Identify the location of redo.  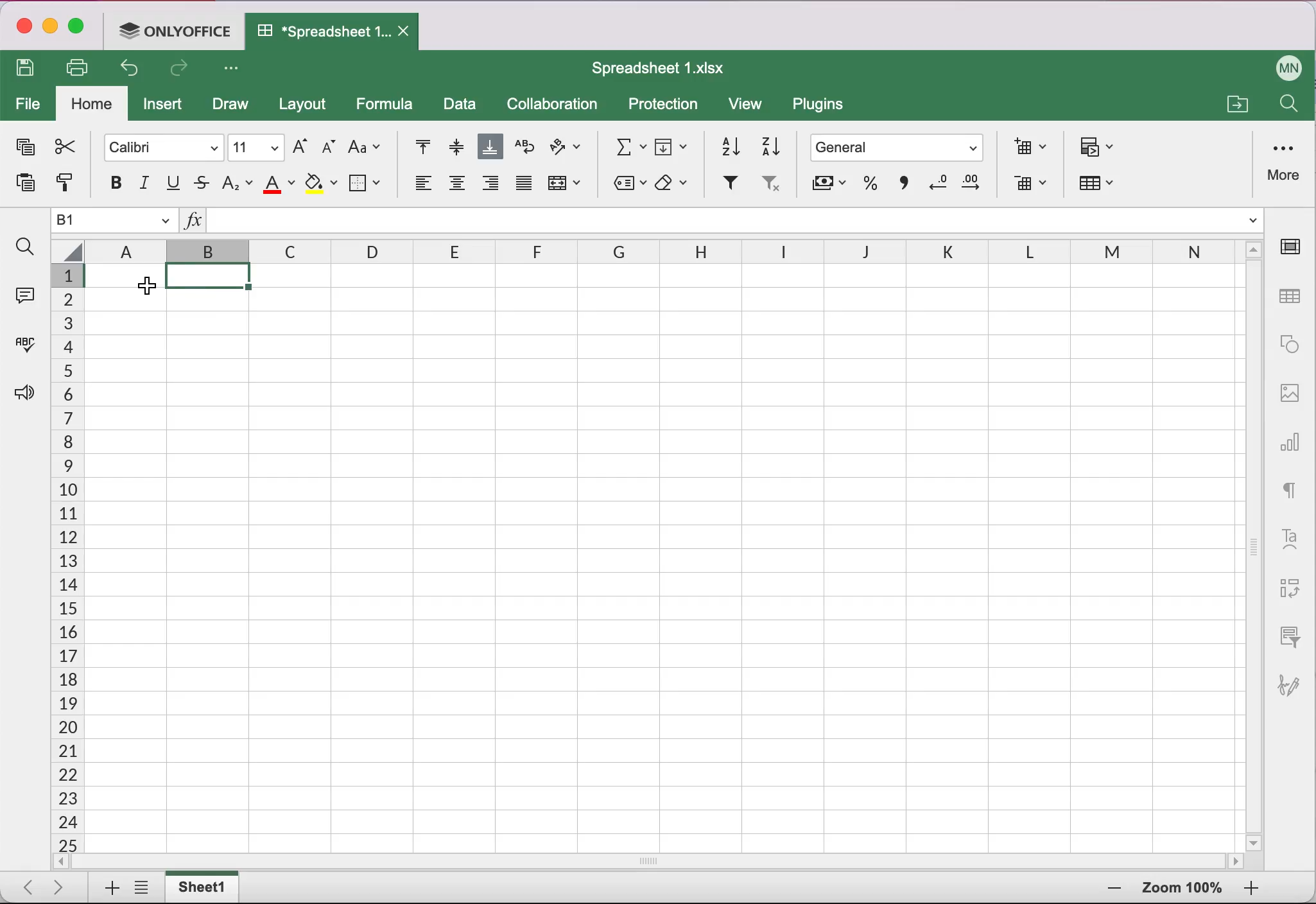
(182, 71).